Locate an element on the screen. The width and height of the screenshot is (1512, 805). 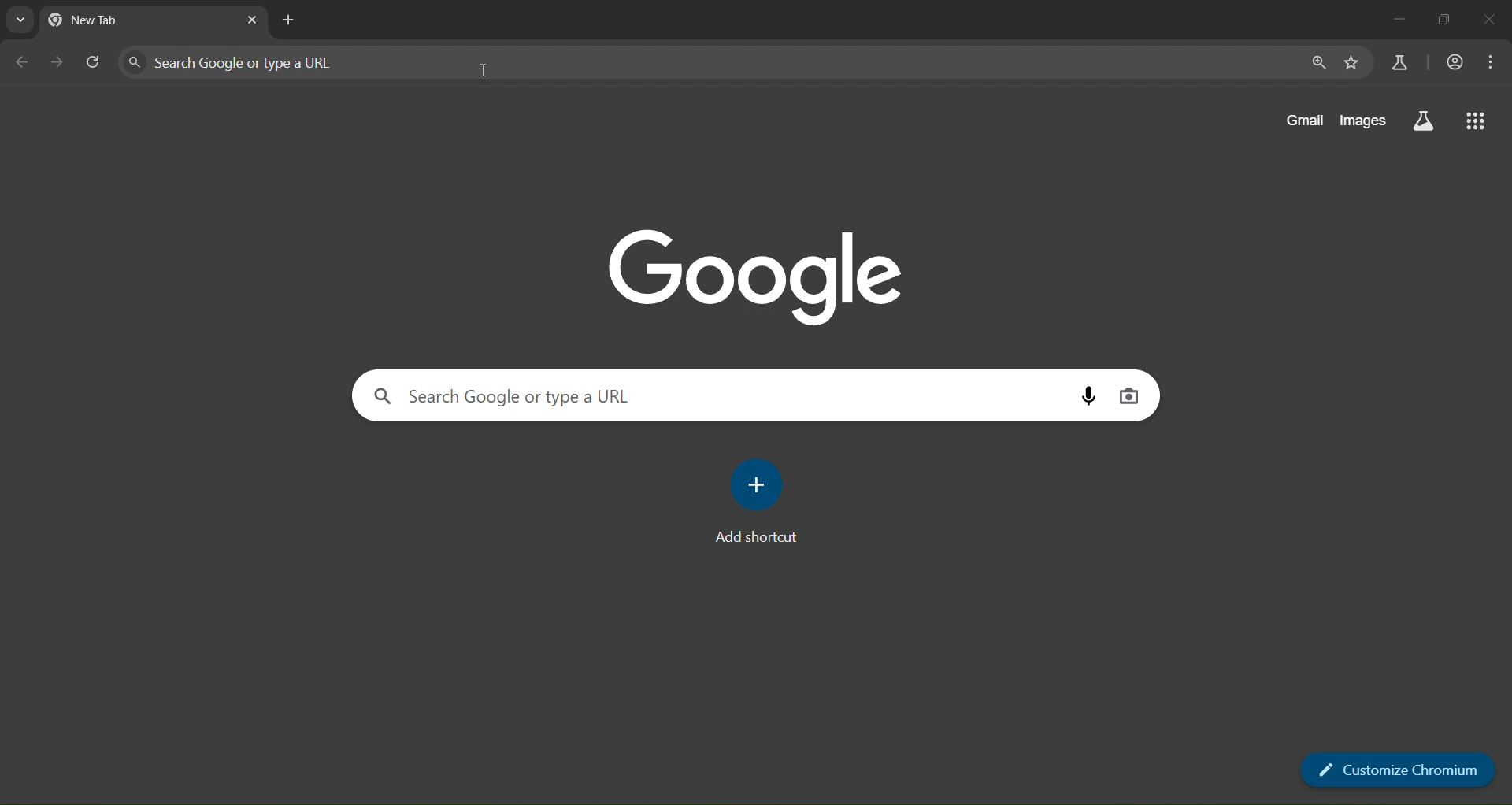
go back 1 page is located at coordinates (23, 62).